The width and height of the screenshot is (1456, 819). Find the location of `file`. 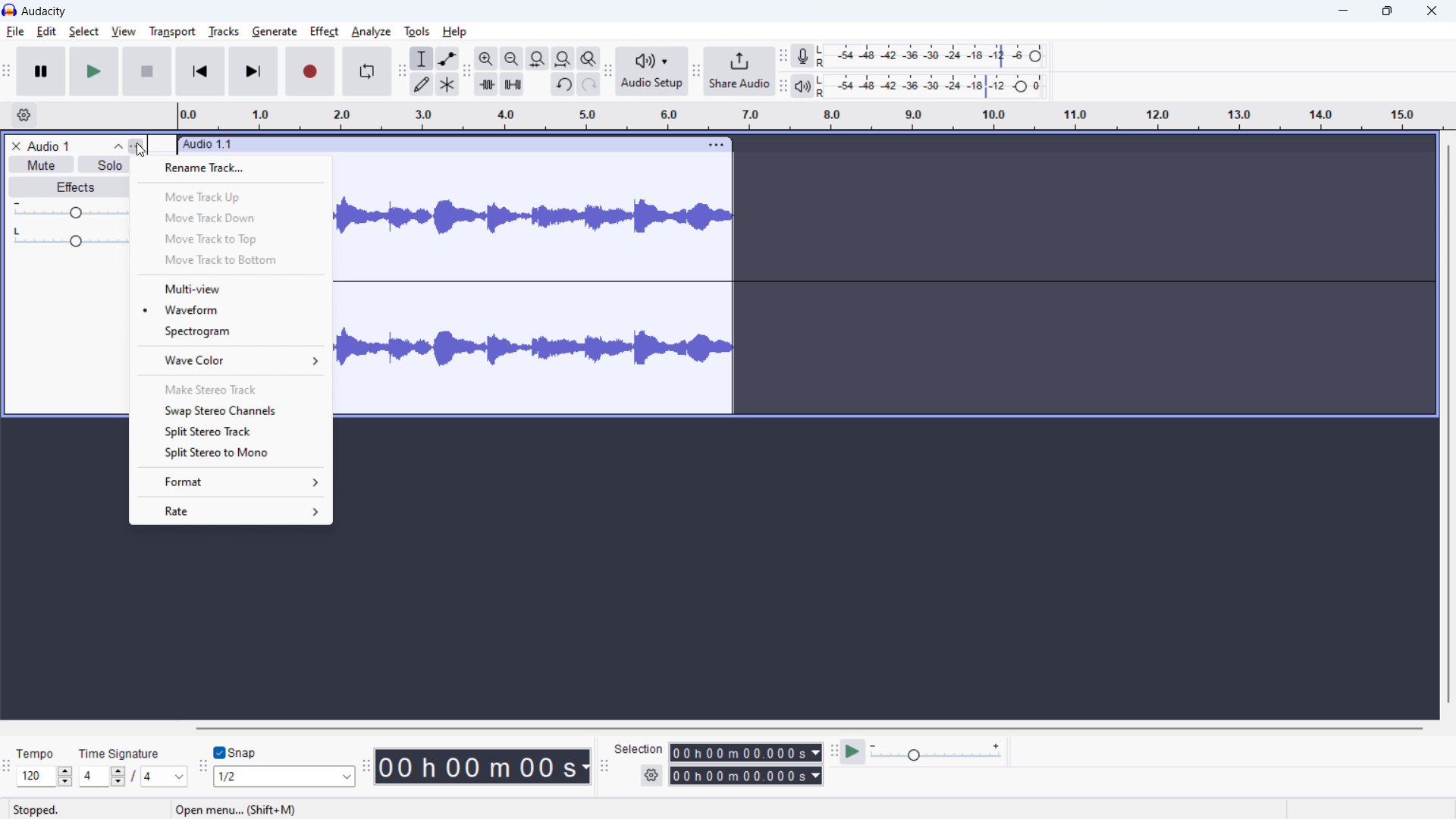

file is located at coordinates (16, 33).